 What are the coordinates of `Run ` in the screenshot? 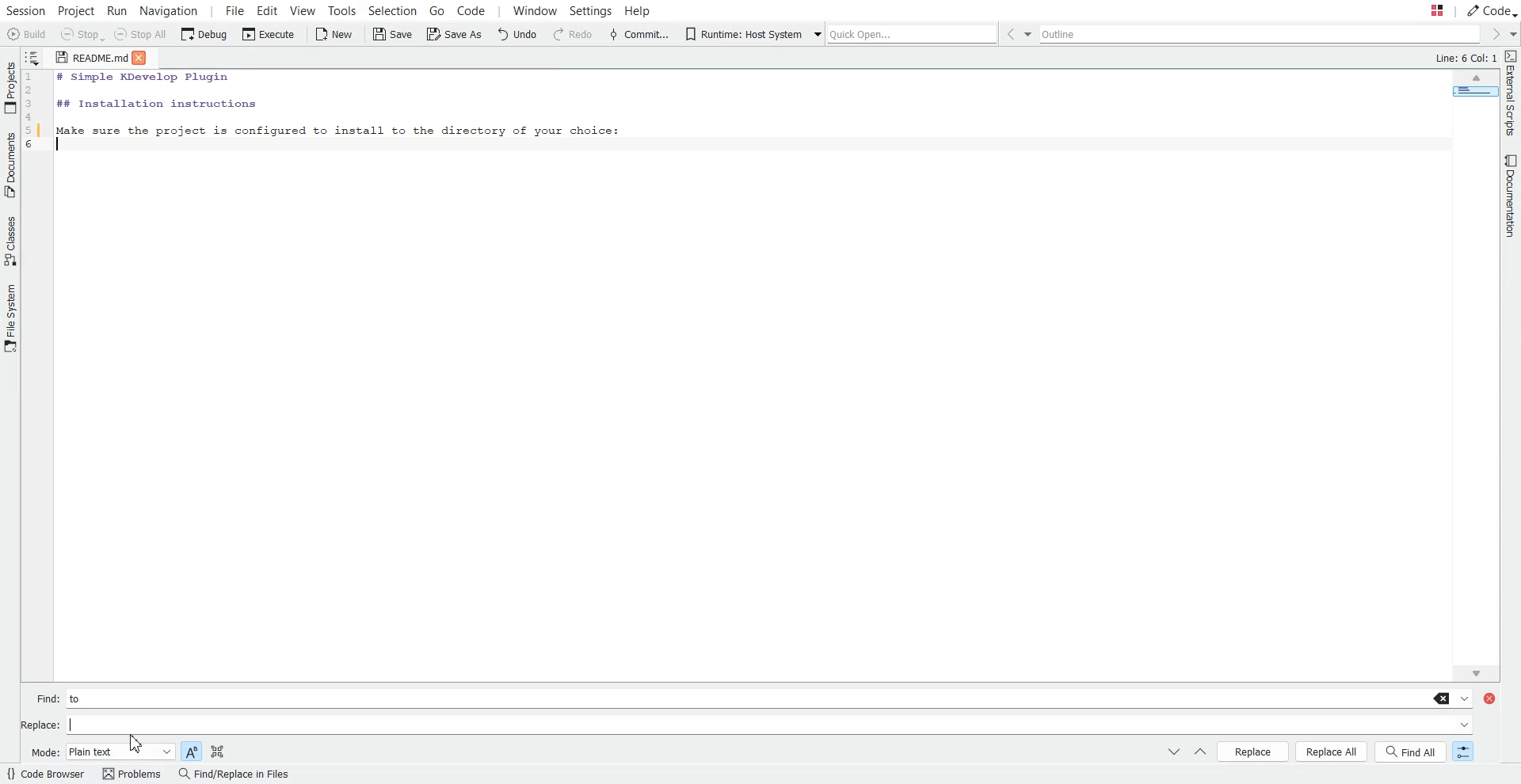 It's located at (120, 10).